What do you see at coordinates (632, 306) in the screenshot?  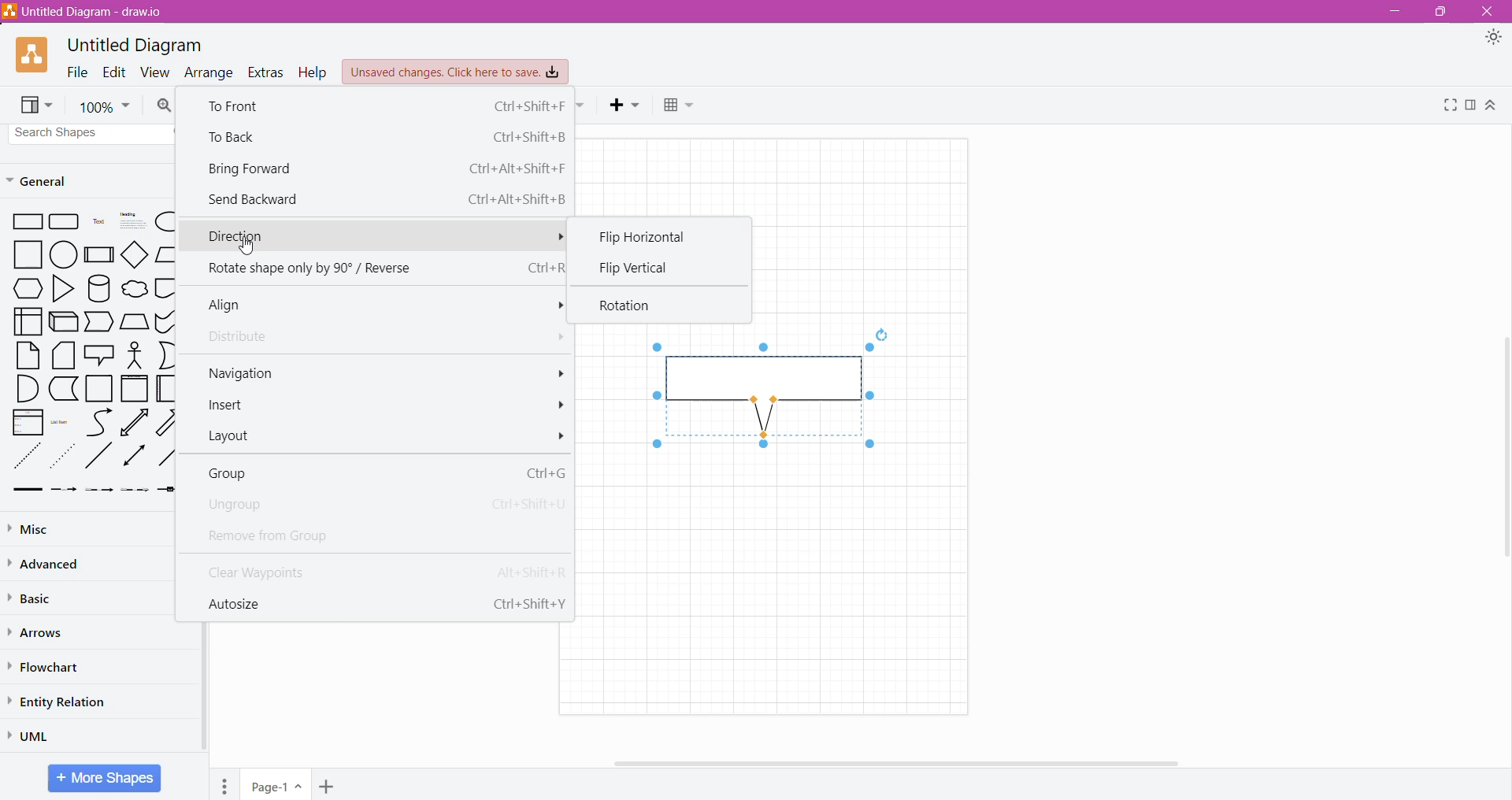 I see `Rotation` at bounding box center [632, 306].